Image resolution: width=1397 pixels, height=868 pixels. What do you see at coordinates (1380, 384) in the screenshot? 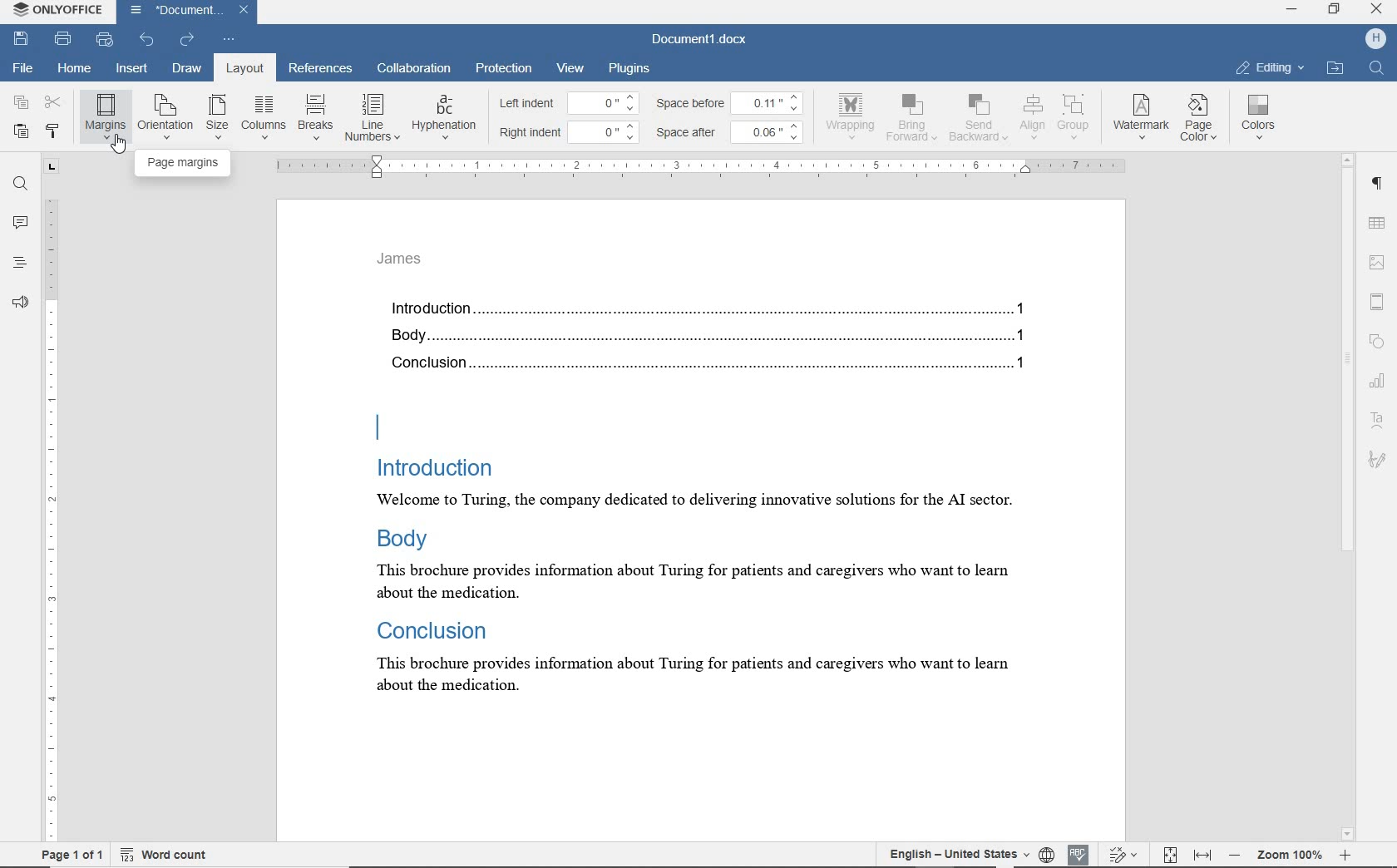
I see `chart` at bounding box center [1380, 384].